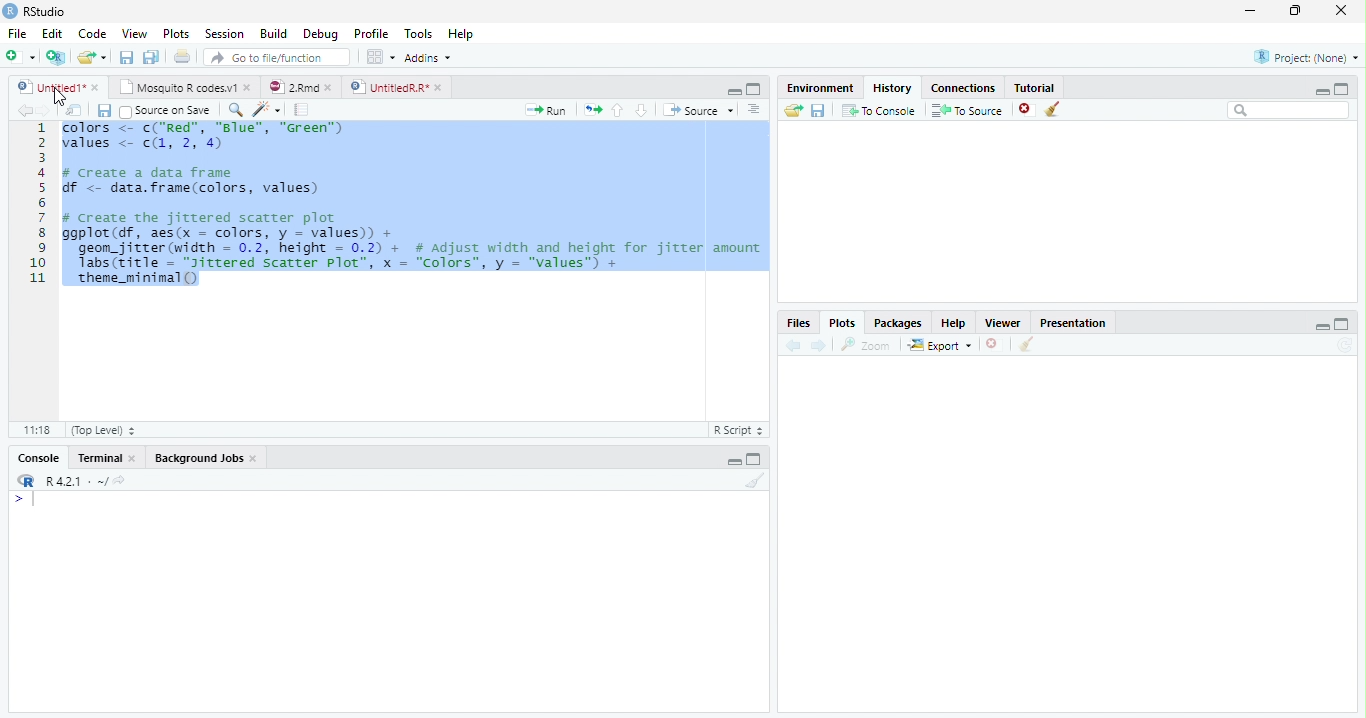 This screenshot has height=718, width=1366. I want to click on Viewer, so click(1004, 323).